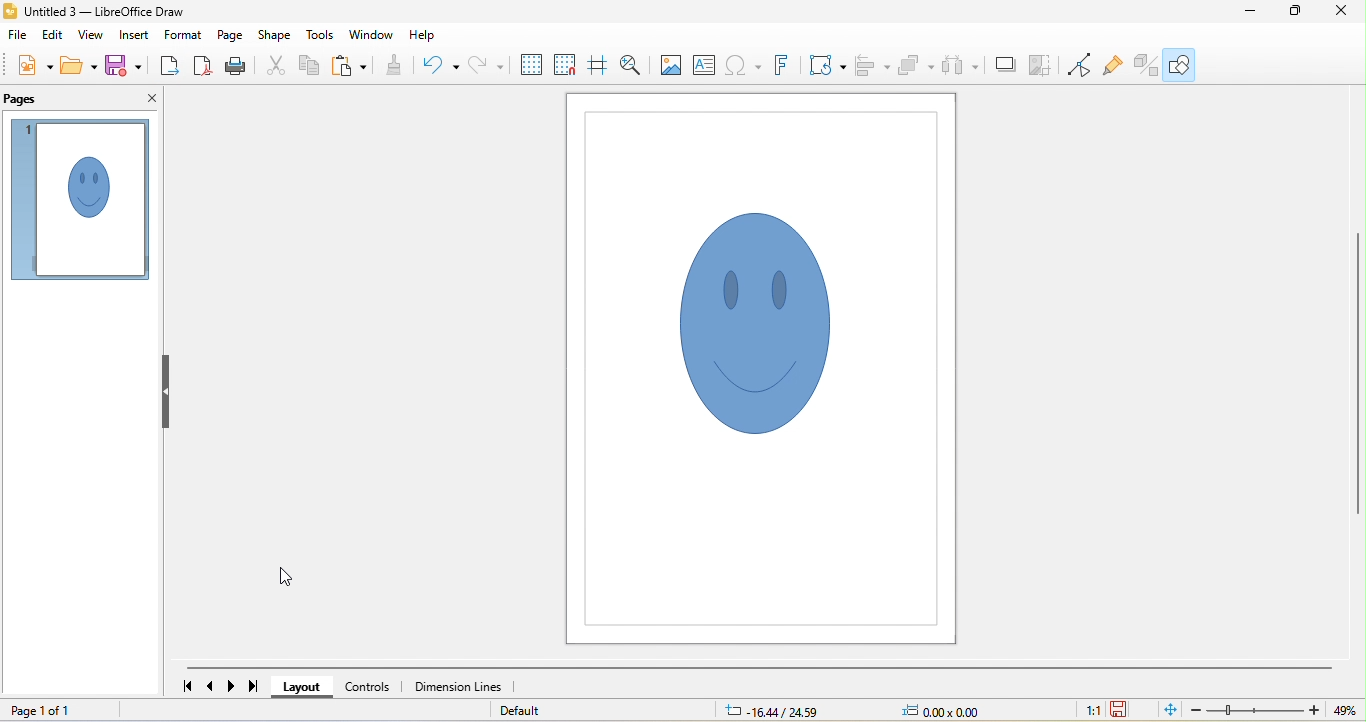  Describe the element at coordinates (781, 67) in the screenshot. I see `font work text` at that location.